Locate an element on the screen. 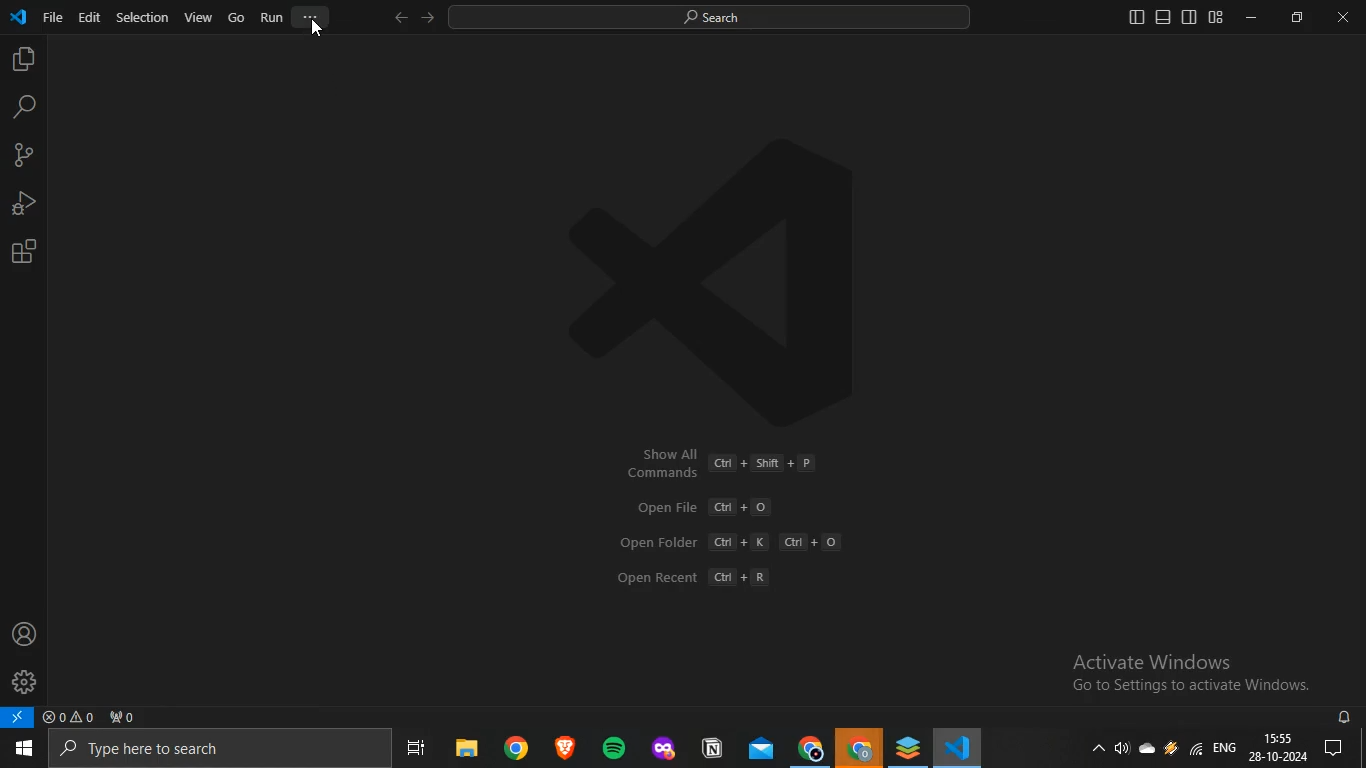 This screenshot has height=768, width=1366. start is located at coordinates (22, 750).